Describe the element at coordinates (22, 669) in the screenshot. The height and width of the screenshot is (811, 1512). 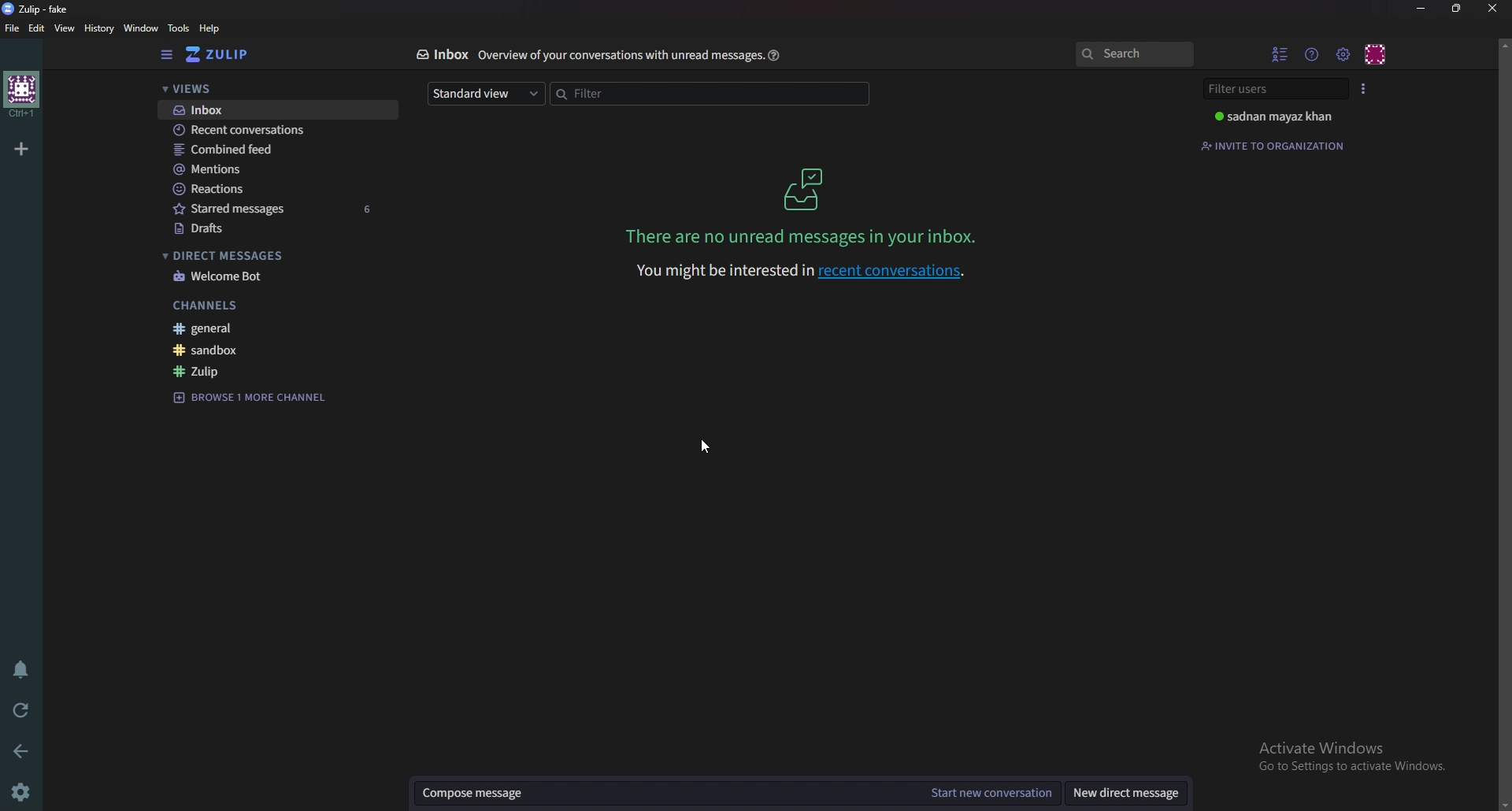
I see `Enable do not disturb` at that location.